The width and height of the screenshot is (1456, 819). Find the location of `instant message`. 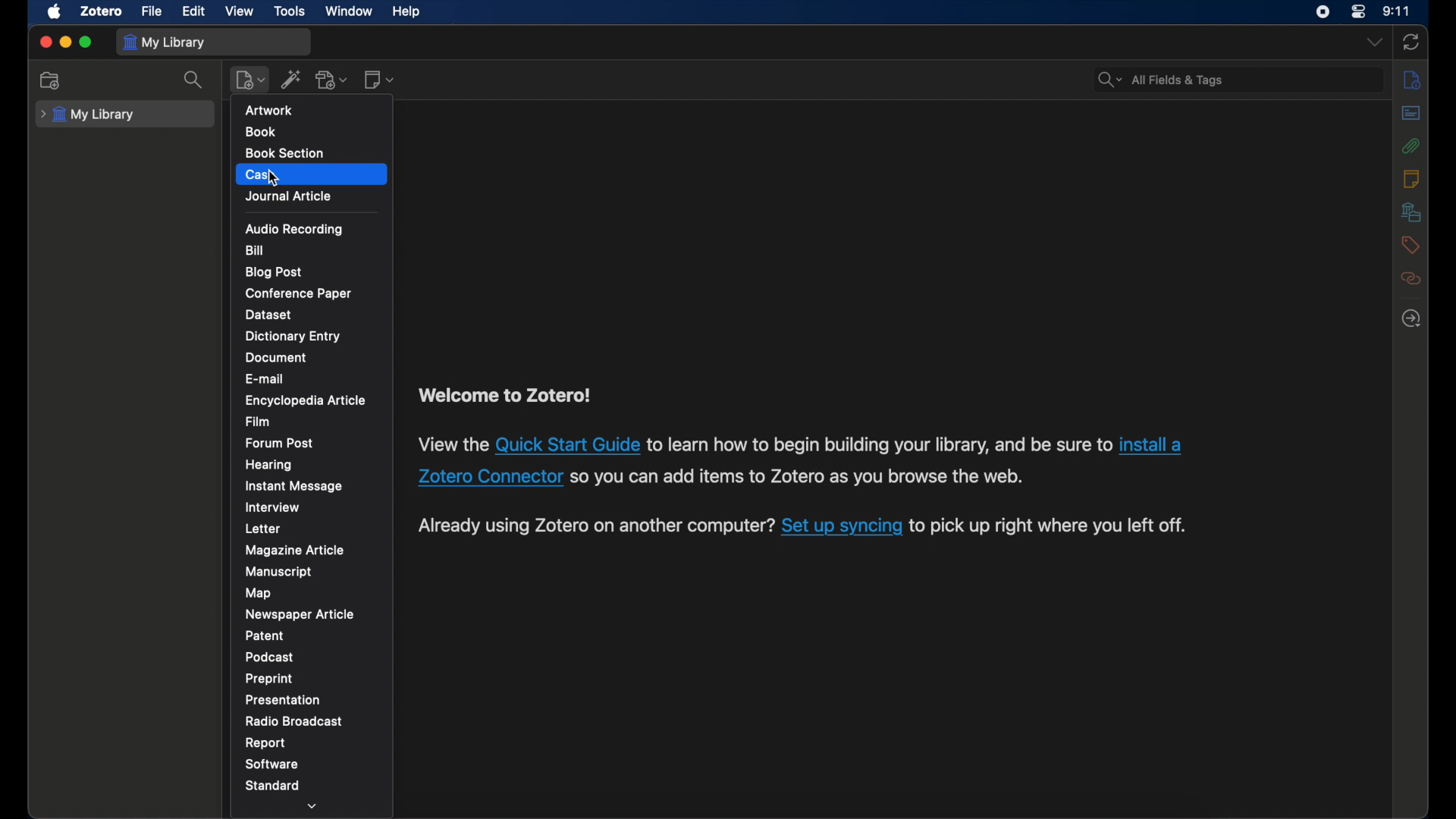

instant message is located at coordinates (296, 485).